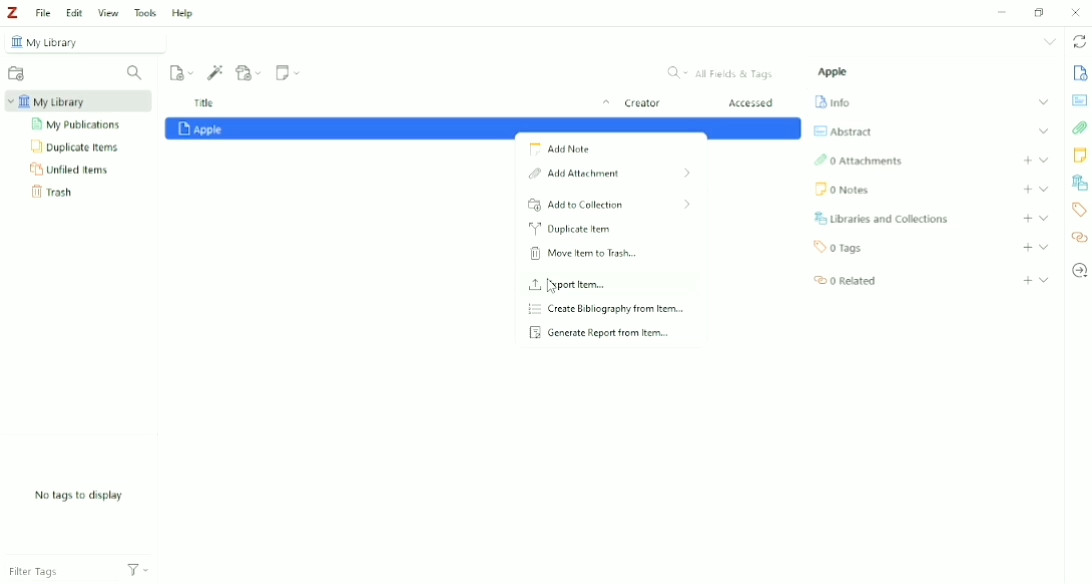 Image resolution: width=1092 pixels, height=584 pixels. What do you see at coordinates (77, 148) in the screenshot?
I see `Duplicate Items` at bounding box center [77, 148].